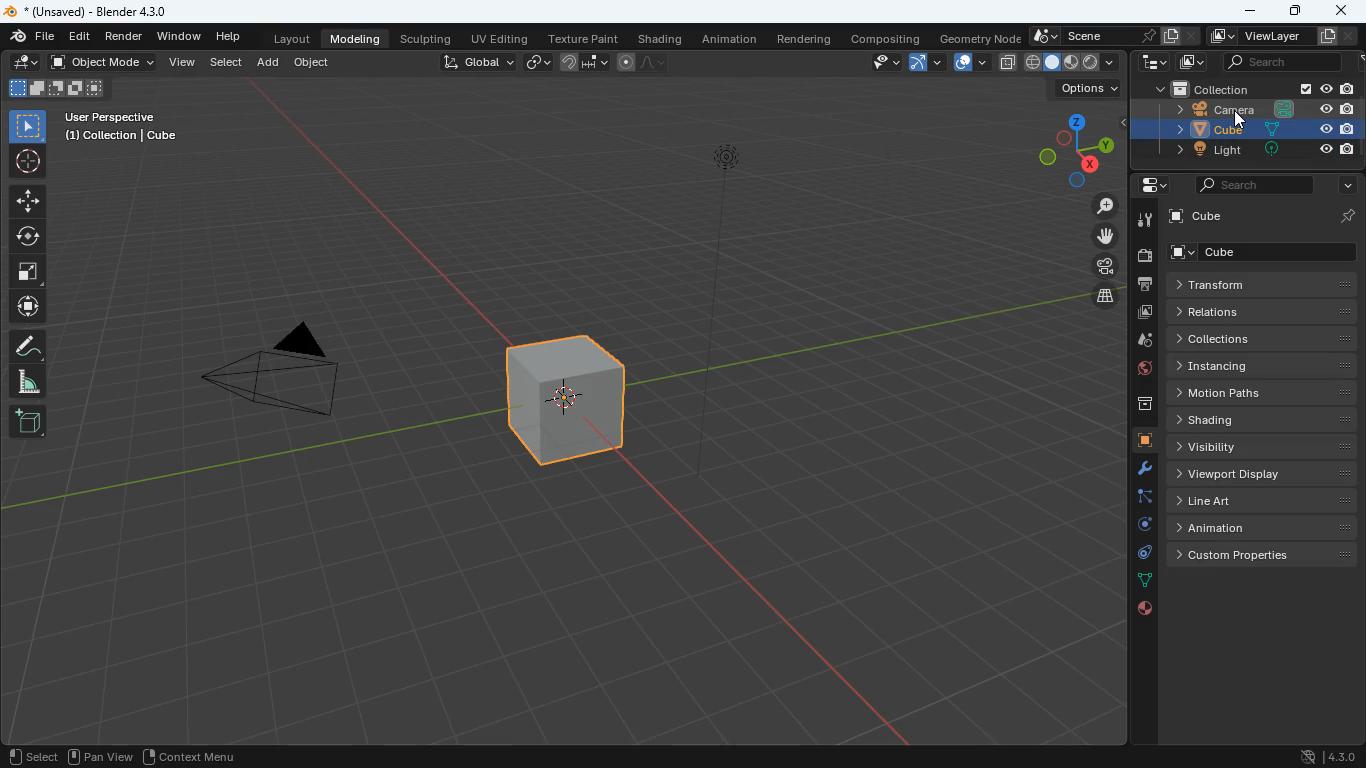 Image resolution: width=1366 pixels, height=768 pixels. I want to click on layout, so click(288, 38).